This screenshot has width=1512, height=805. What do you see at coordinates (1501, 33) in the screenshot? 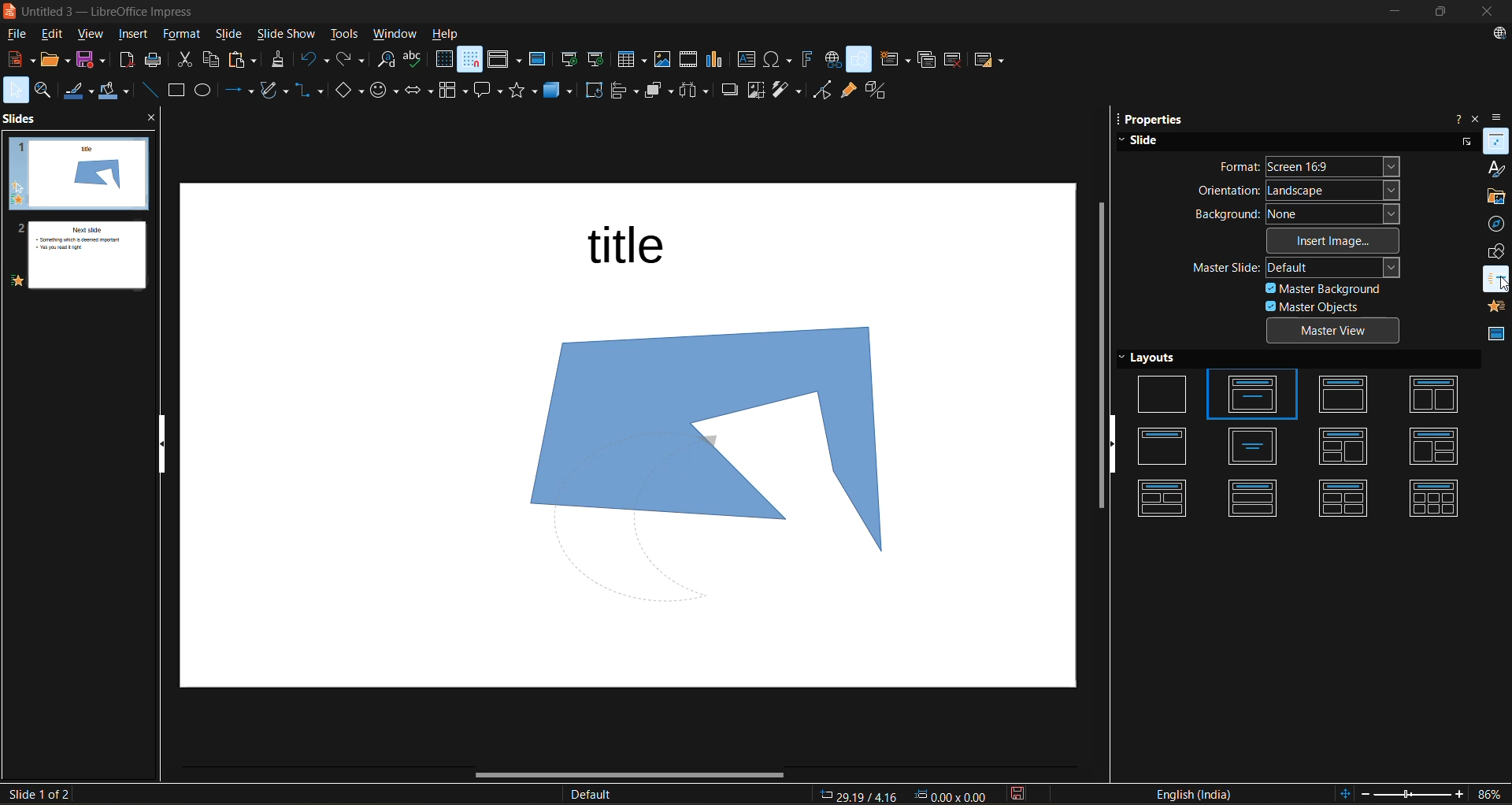
I see `update` at bounding box center [1501, 33].